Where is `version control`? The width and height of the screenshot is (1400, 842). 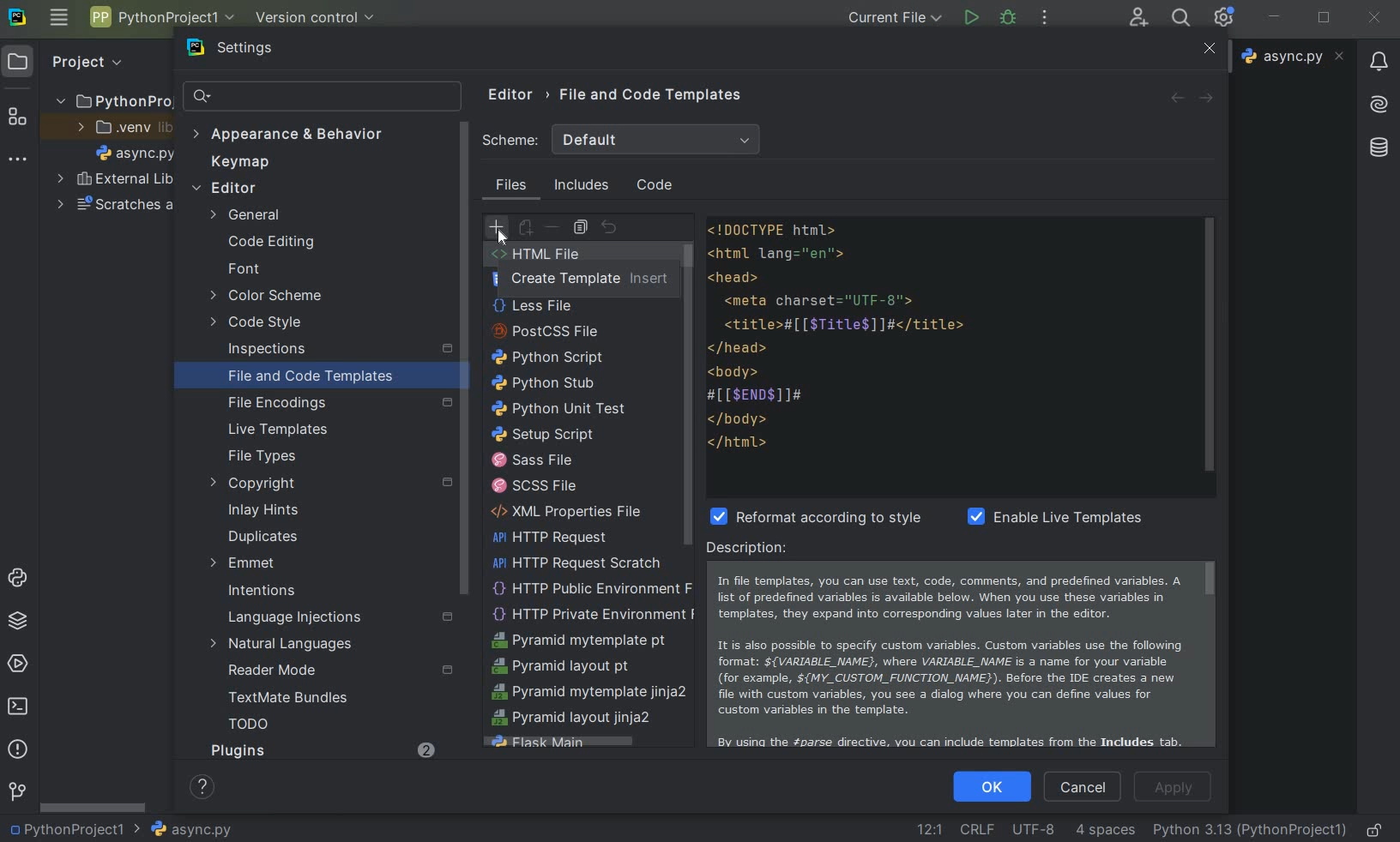 version control is located at coordinates (316, 17).